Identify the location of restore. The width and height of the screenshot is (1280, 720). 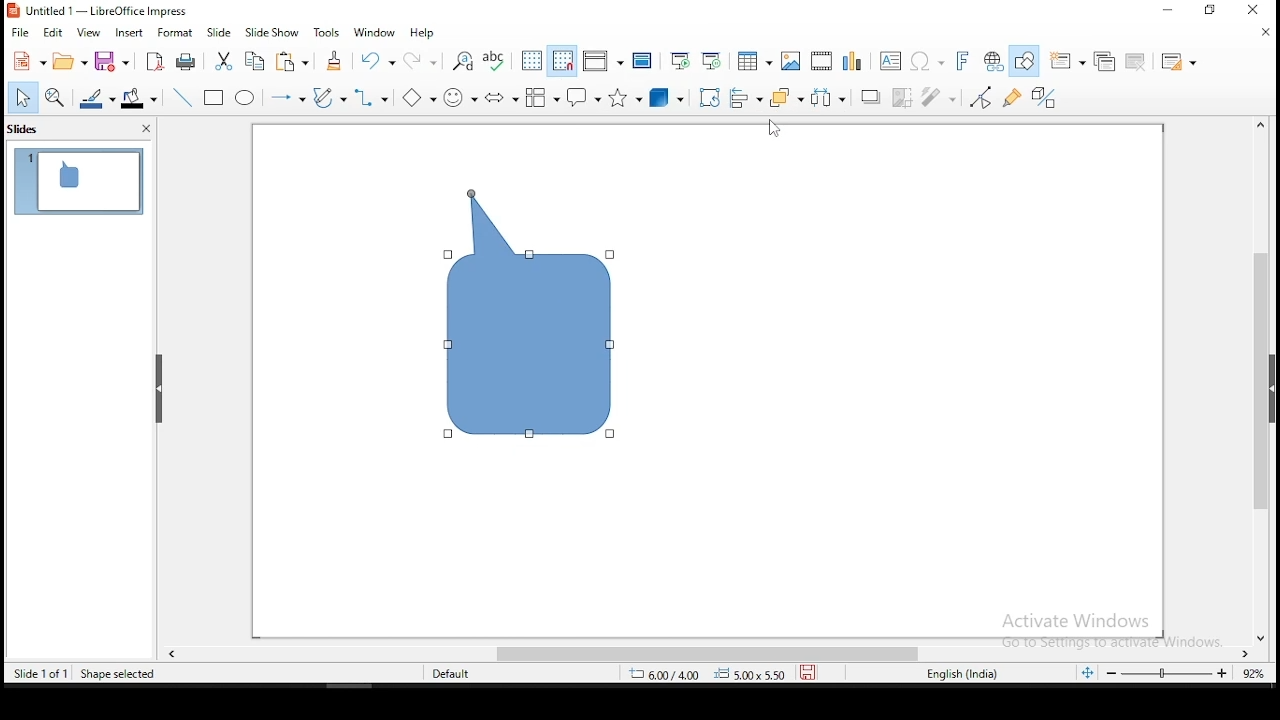
(1169, 11).